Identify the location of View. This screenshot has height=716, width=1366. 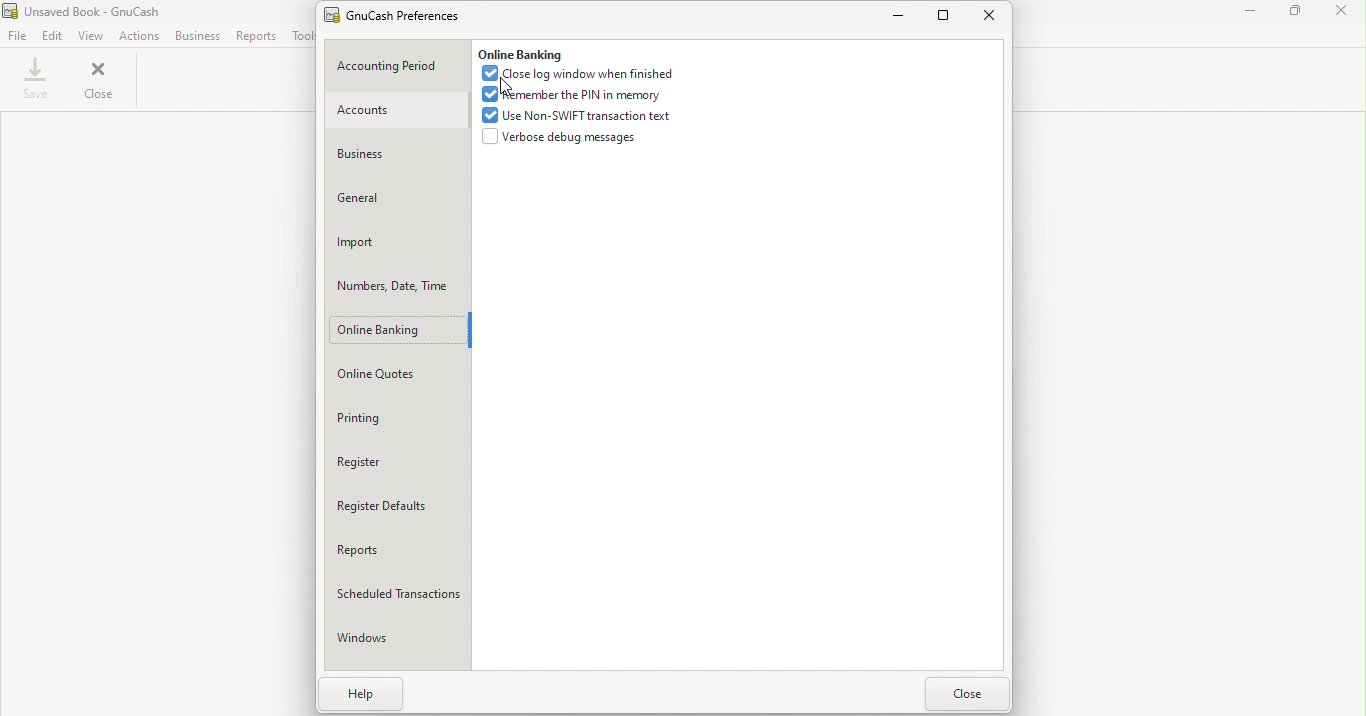
(89, 34).